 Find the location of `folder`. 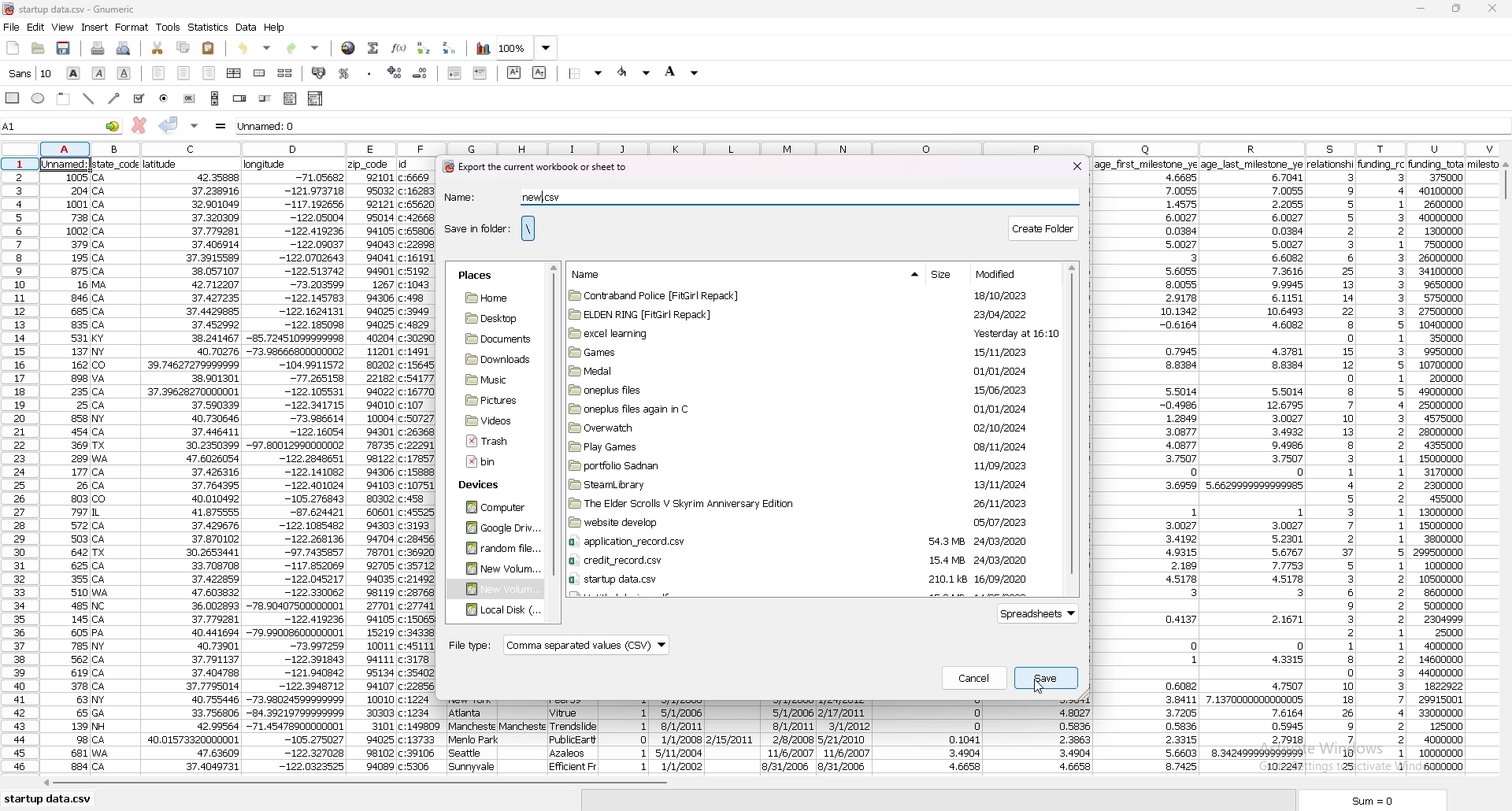

folder is located at coordinates (491, 401).